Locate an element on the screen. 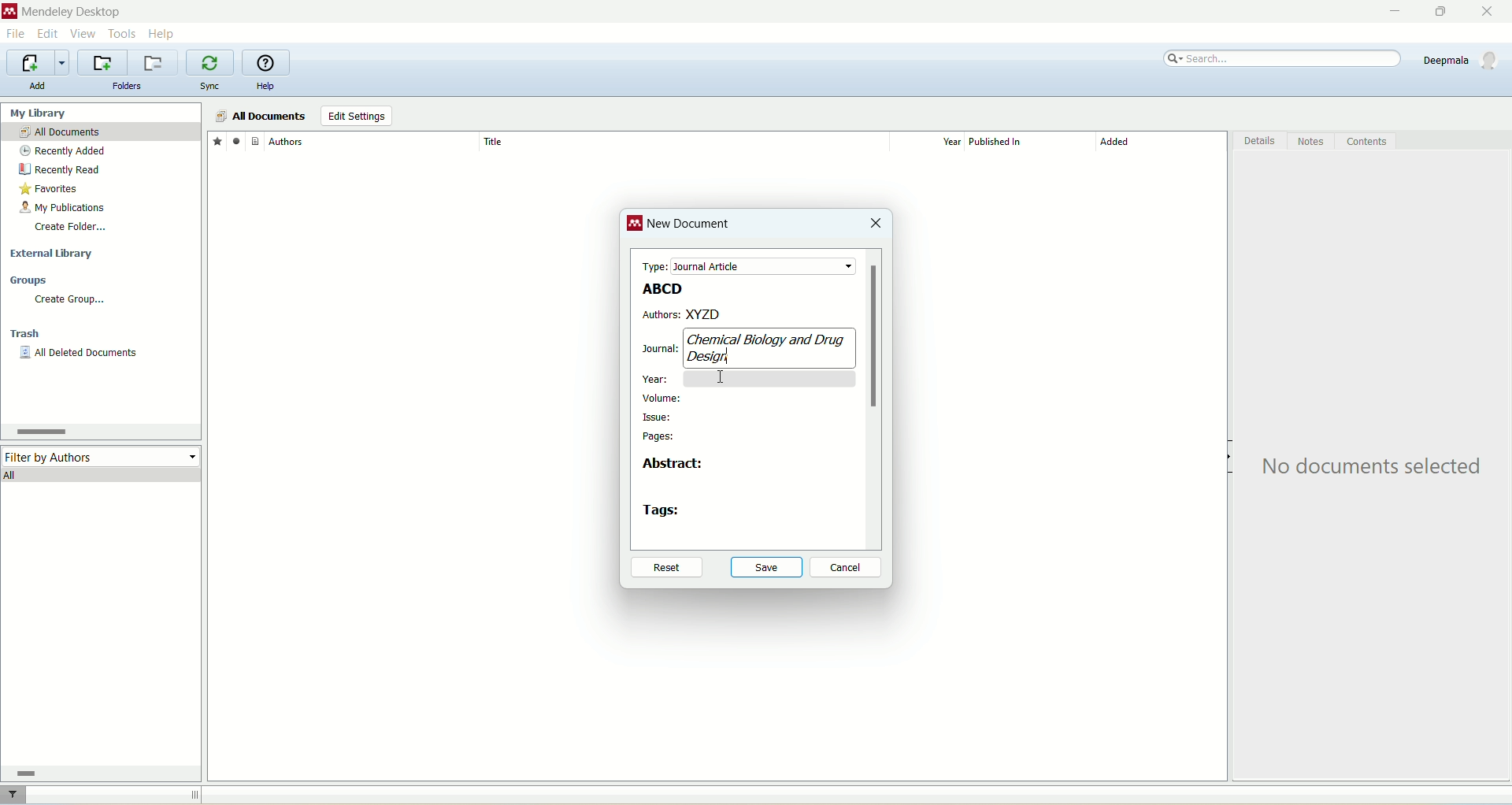 Image resolution: width=1512 pixels, height=805 pixels. view is located at coordinates (84, 34).